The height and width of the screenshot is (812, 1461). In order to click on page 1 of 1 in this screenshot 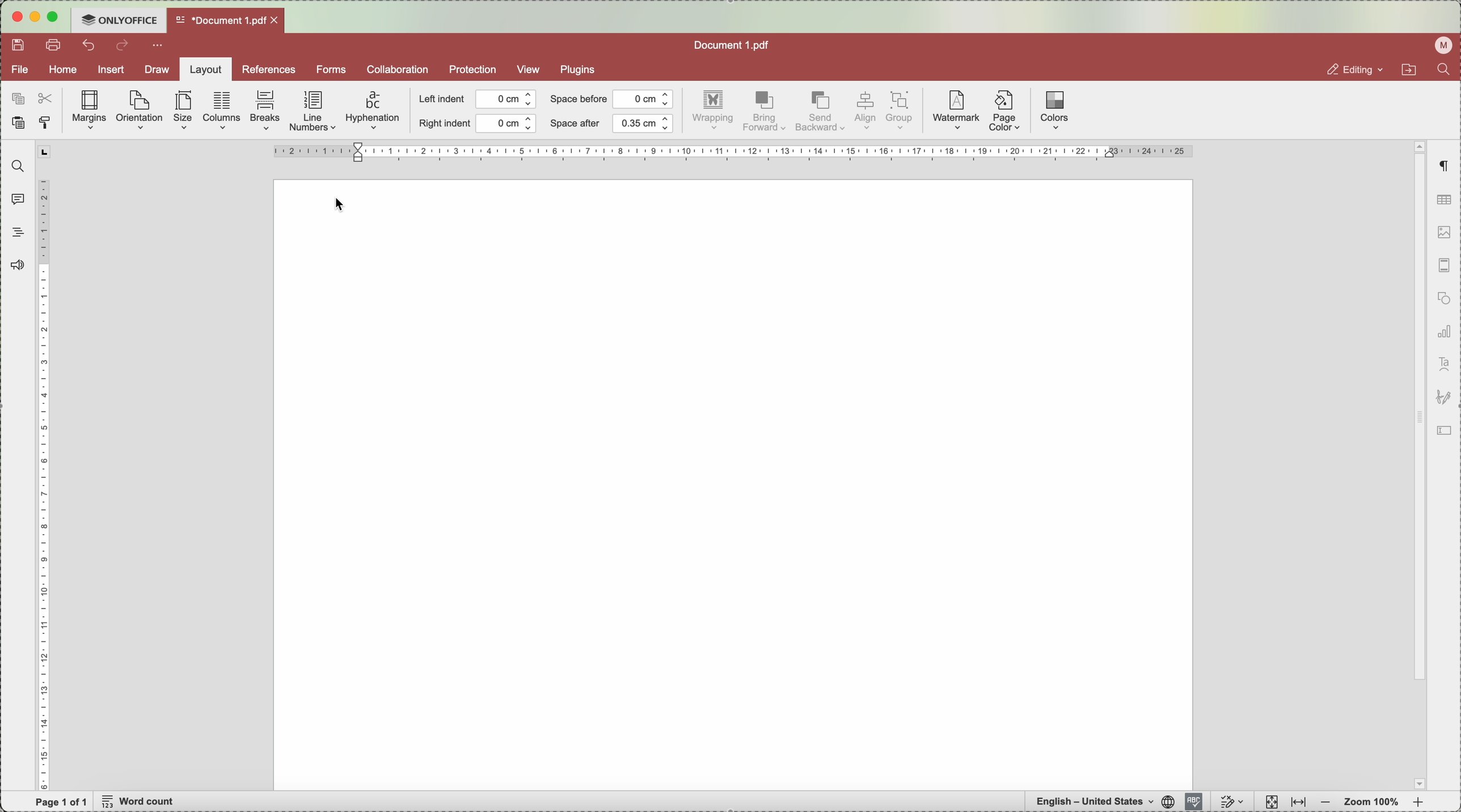, I will do `click(62, 802)`.